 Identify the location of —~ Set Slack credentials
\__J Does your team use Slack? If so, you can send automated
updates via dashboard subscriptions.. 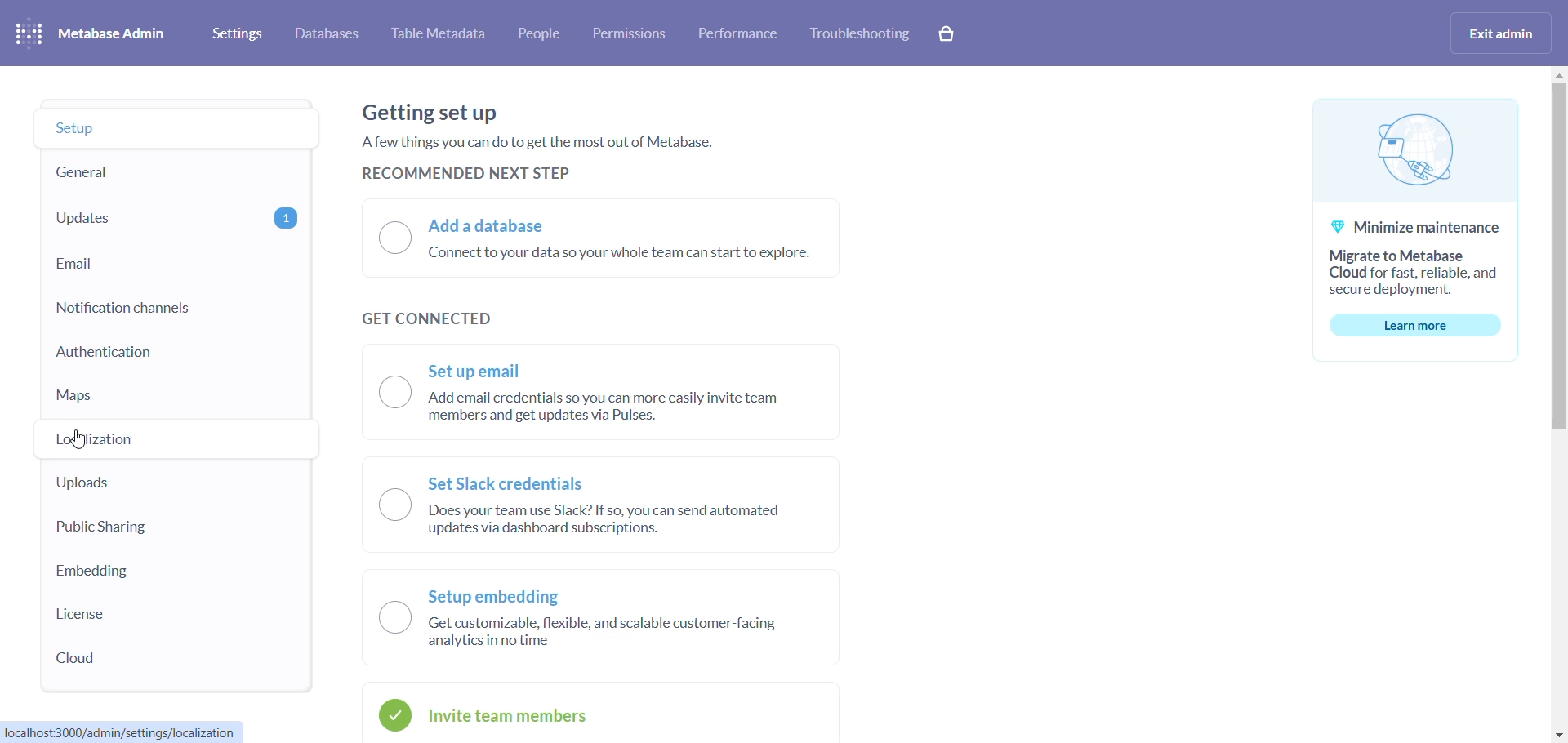
(583, 506).